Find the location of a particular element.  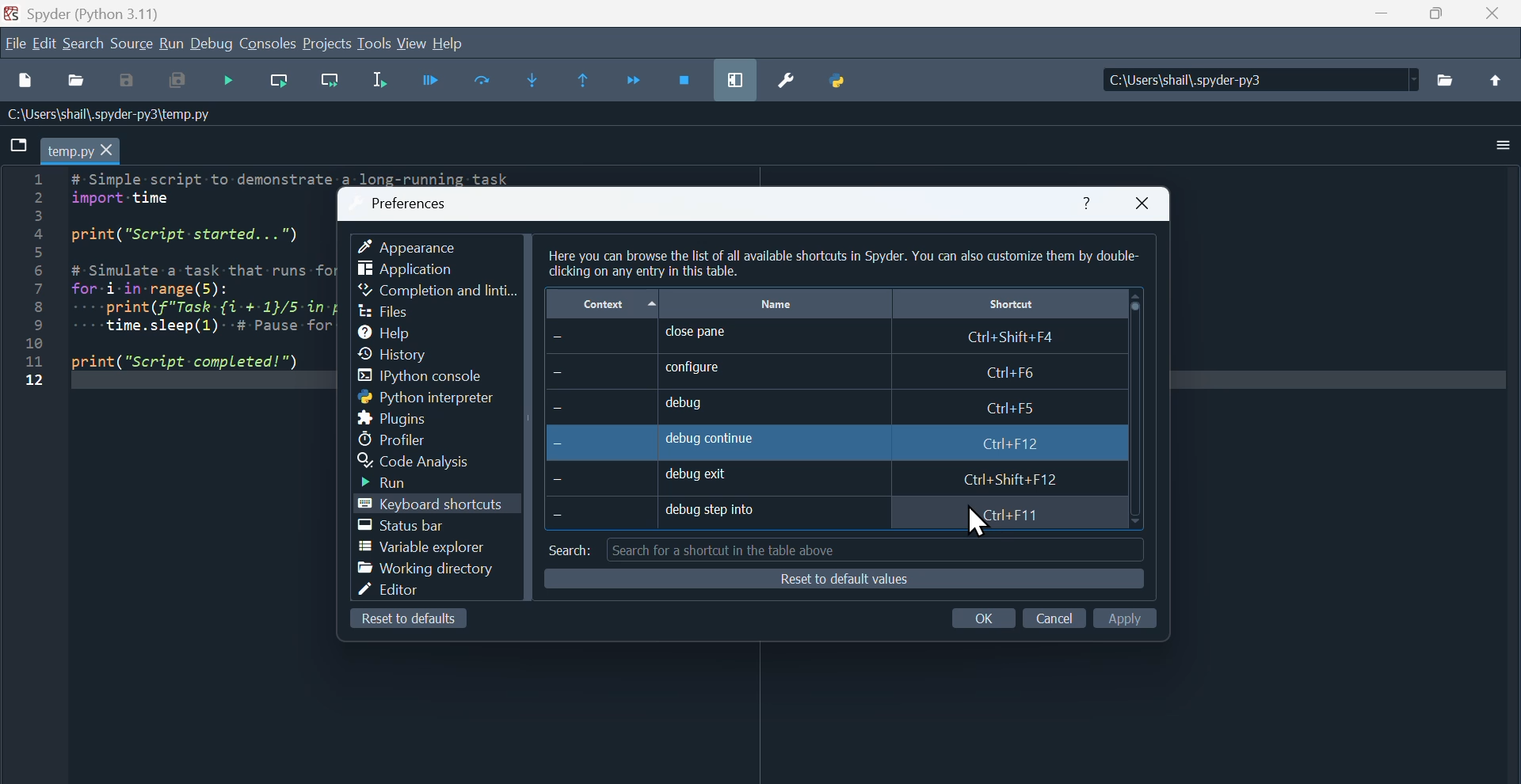

Code analysis is located at coordinates (427, 461).